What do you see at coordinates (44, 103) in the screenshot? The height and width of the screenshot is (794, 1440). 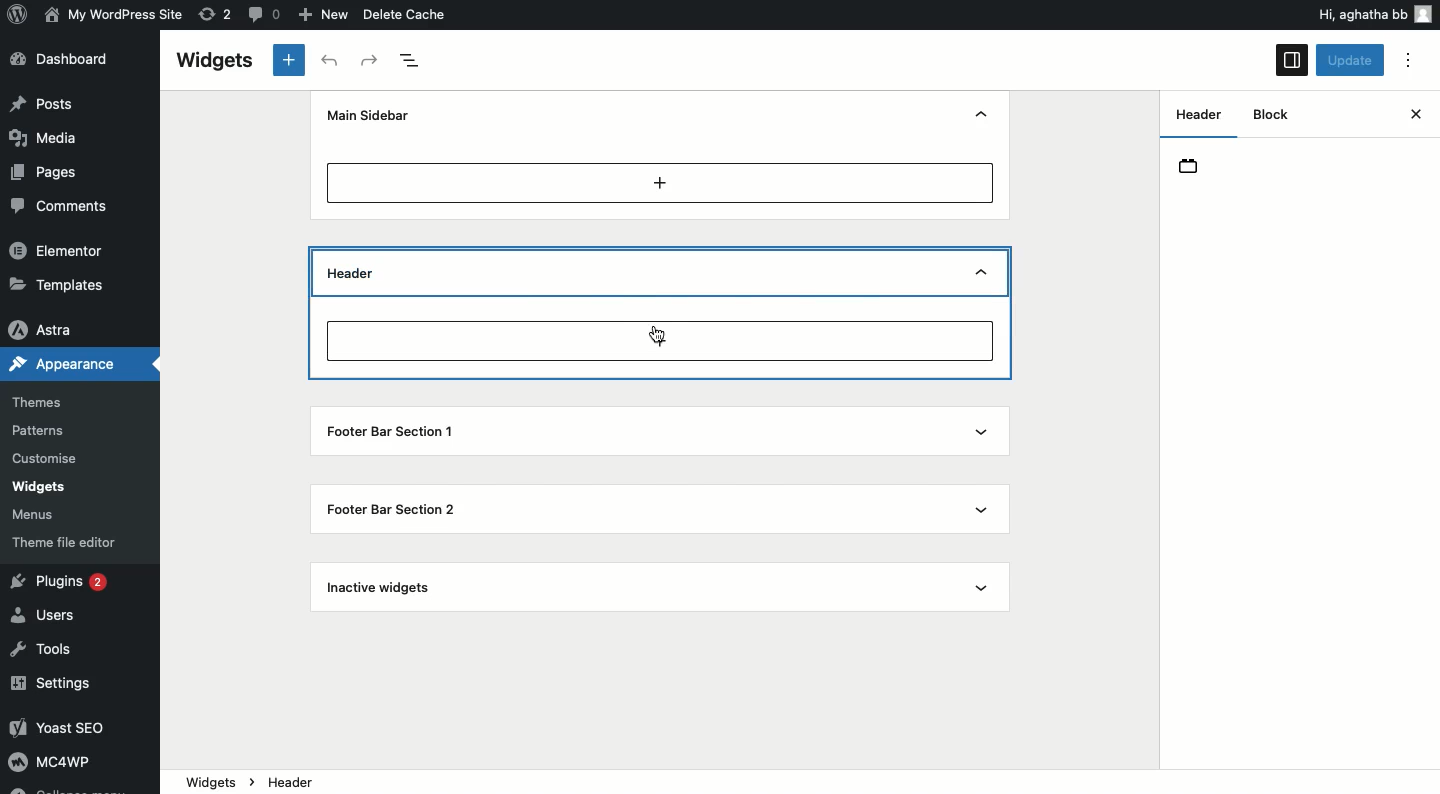 I see `Posts` at bounding box center [44, 103].